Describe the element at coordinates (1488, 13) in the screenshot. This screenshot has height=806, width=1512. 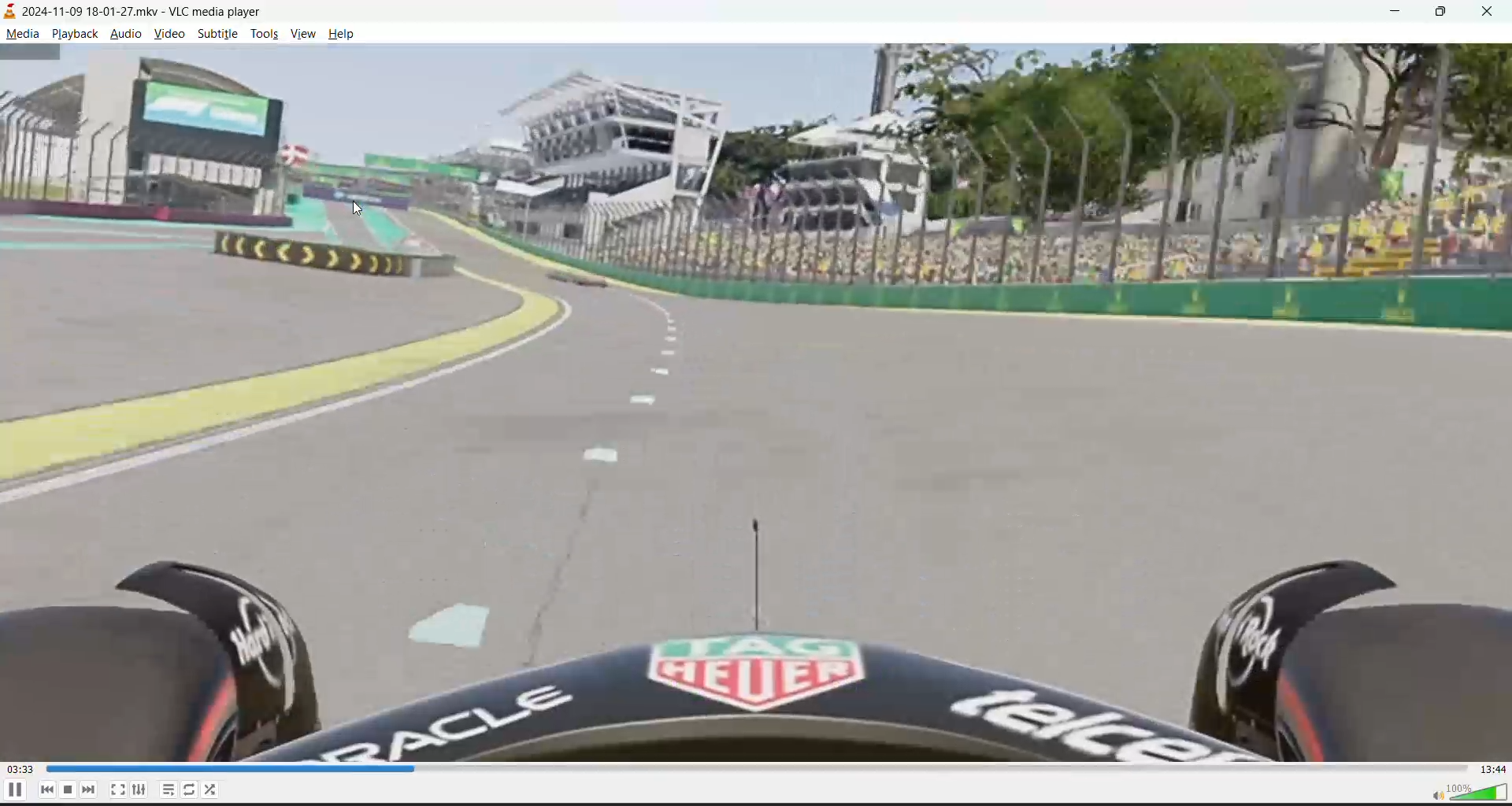
I see `close` at that location.